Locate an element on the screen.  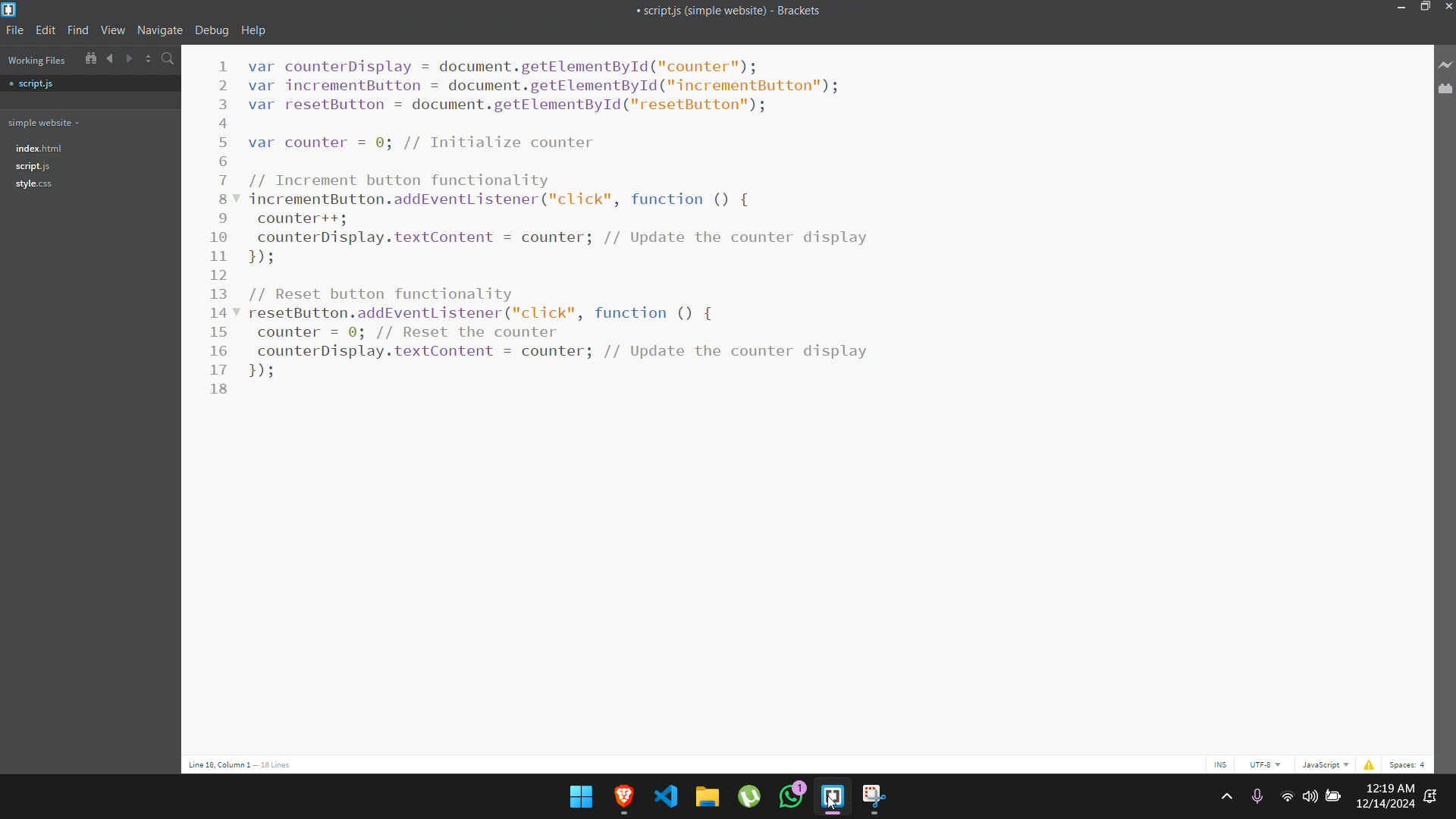
working files is located at coordinates (37, 60).